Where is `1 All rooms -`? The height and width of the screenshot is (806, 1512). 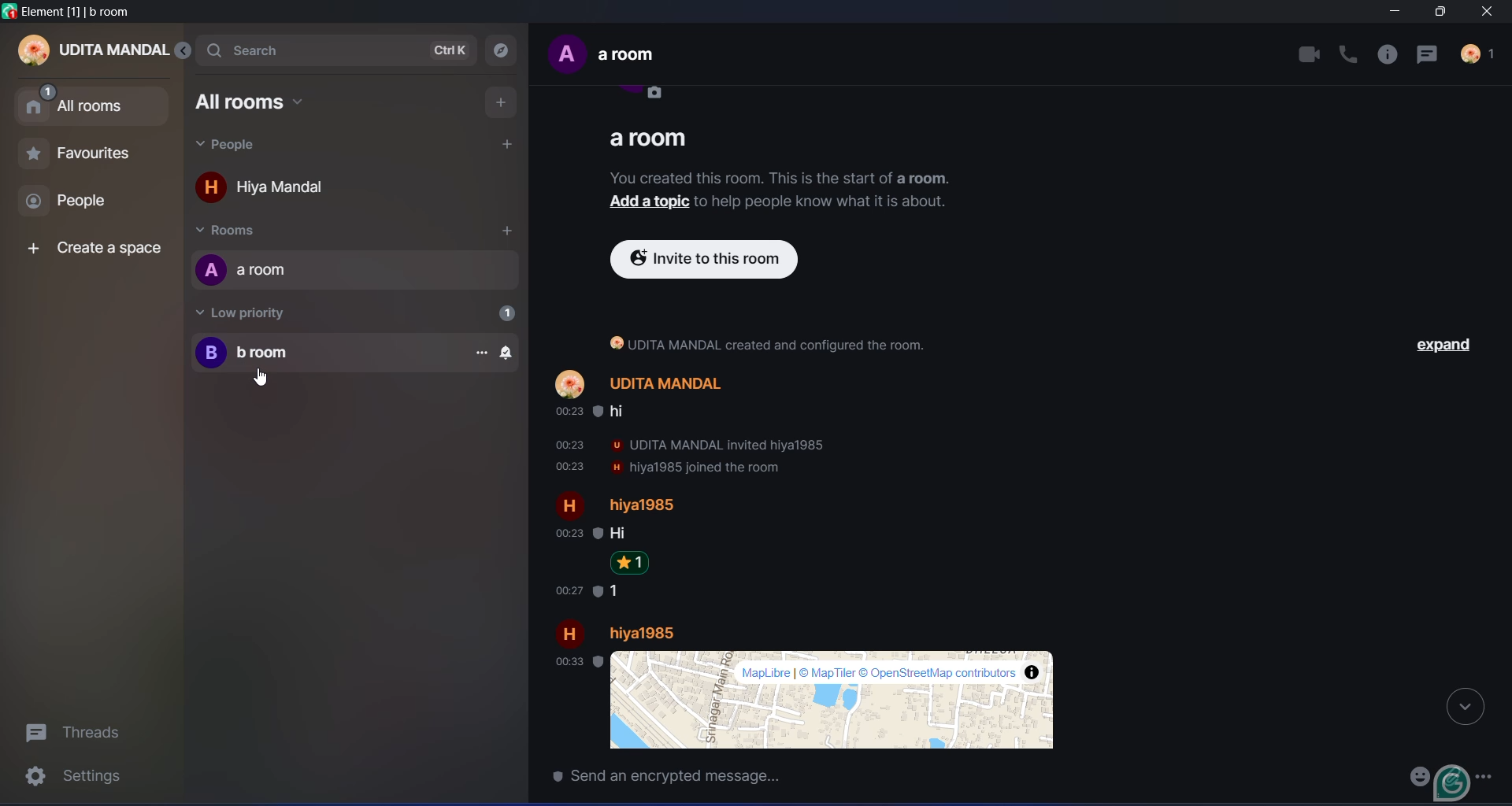 1 All rooms - is located at coordinates (91, 102).